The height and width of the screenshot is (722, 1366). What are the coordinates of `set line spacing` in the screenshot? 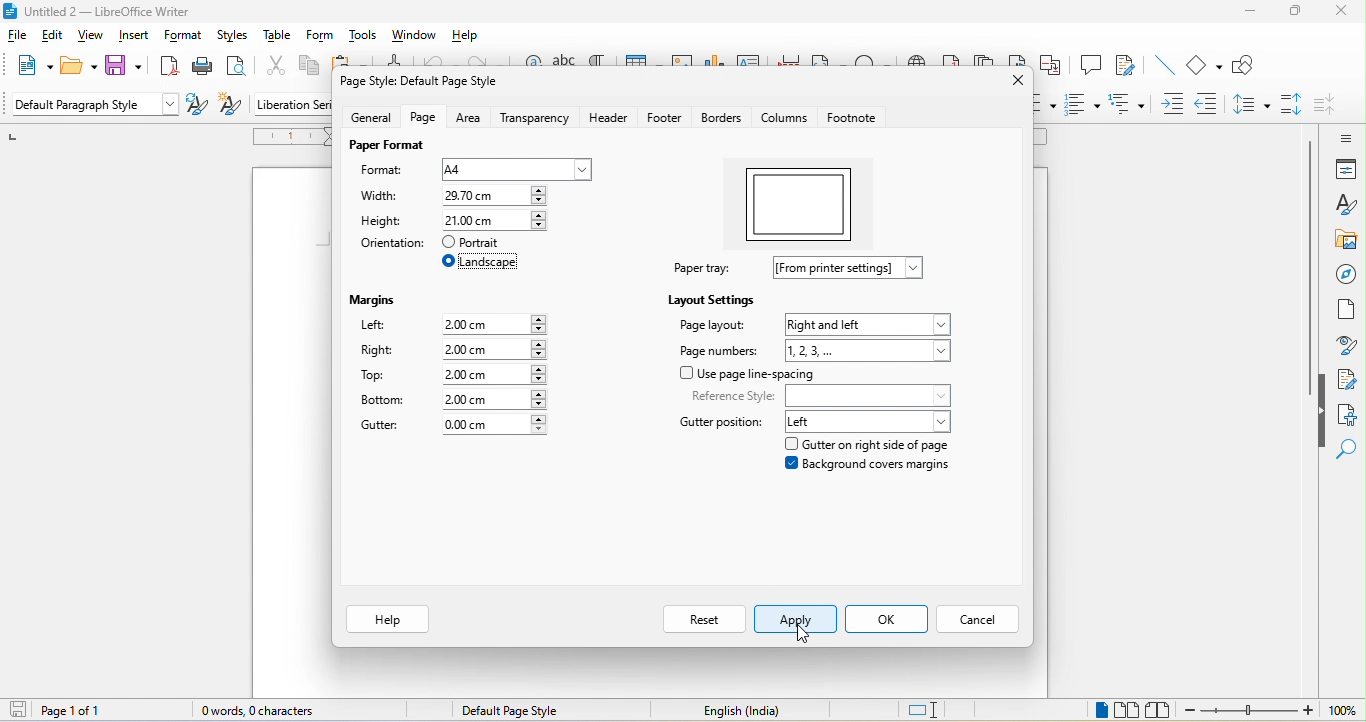 It's located at (1250, 105).